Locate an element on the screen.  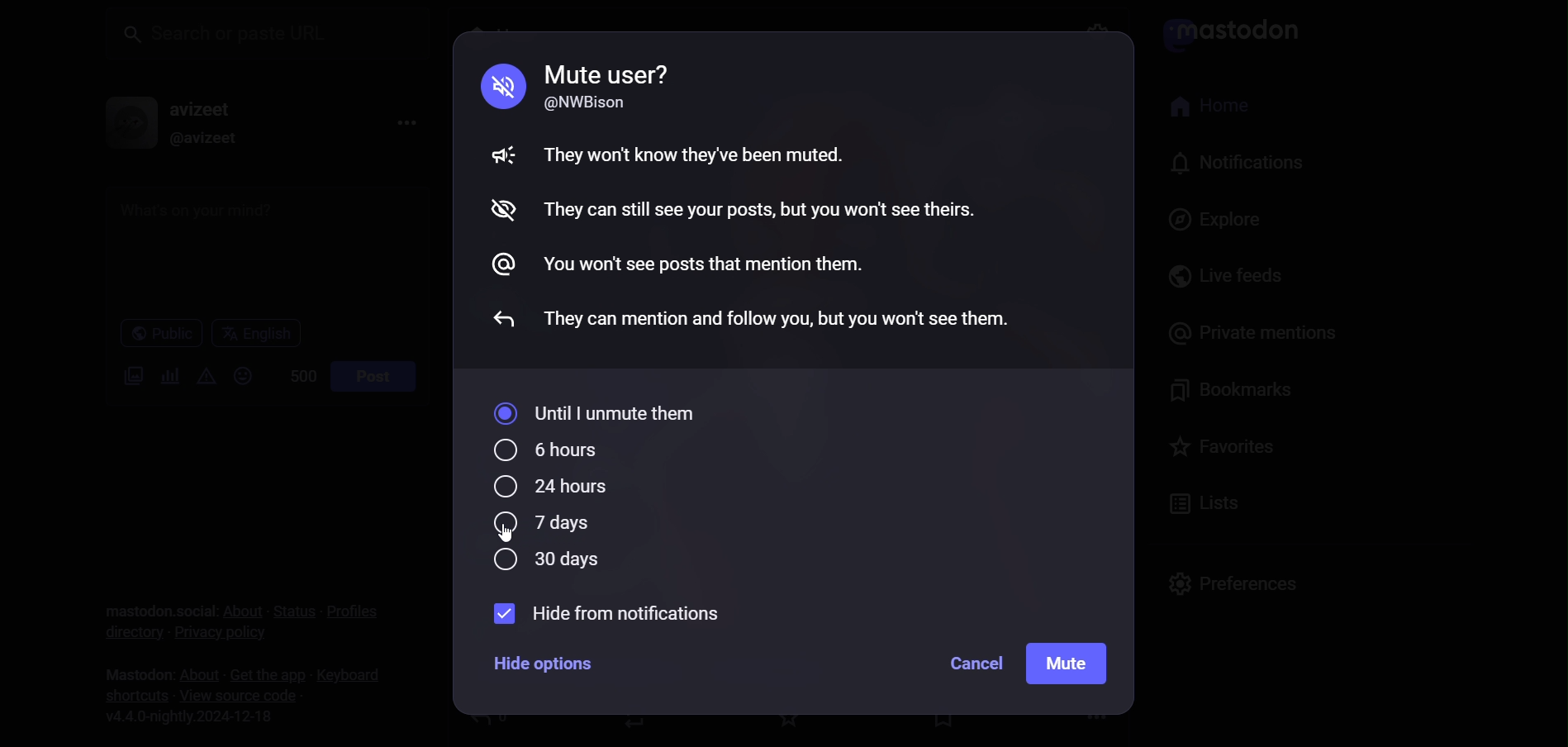
7 days is located at coordinates (543, 524).